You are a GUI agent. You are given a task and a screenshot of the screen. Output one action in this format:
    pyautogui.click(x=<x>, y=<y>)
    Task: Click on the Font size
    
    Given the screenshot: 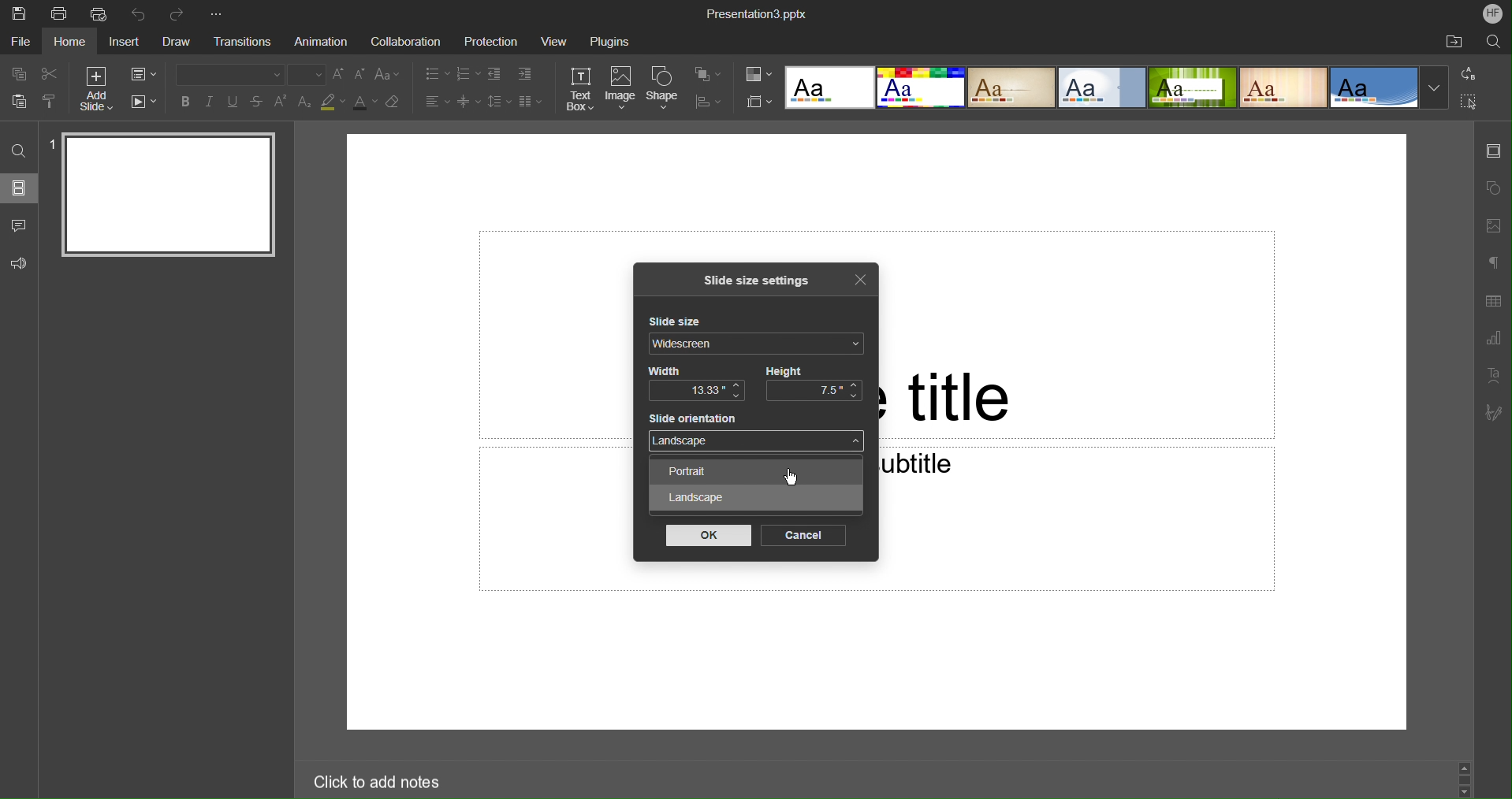 What is the action you would take?
    pyautogui.click(x=307, y=74)
    